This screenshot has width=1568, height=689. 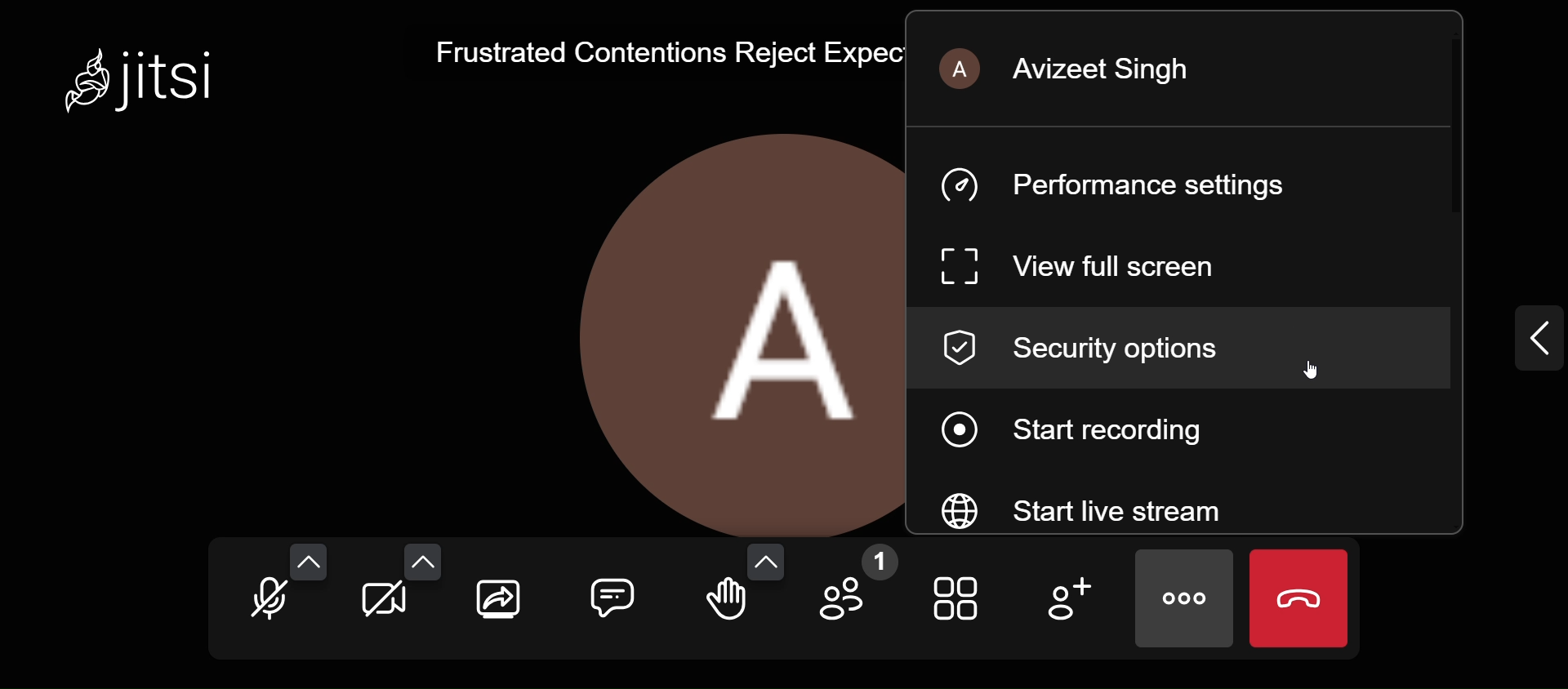 What do you see at coordinates (1084, 508) in the screenshot?
I see `start live steam` at bounding box center [1084, 508].